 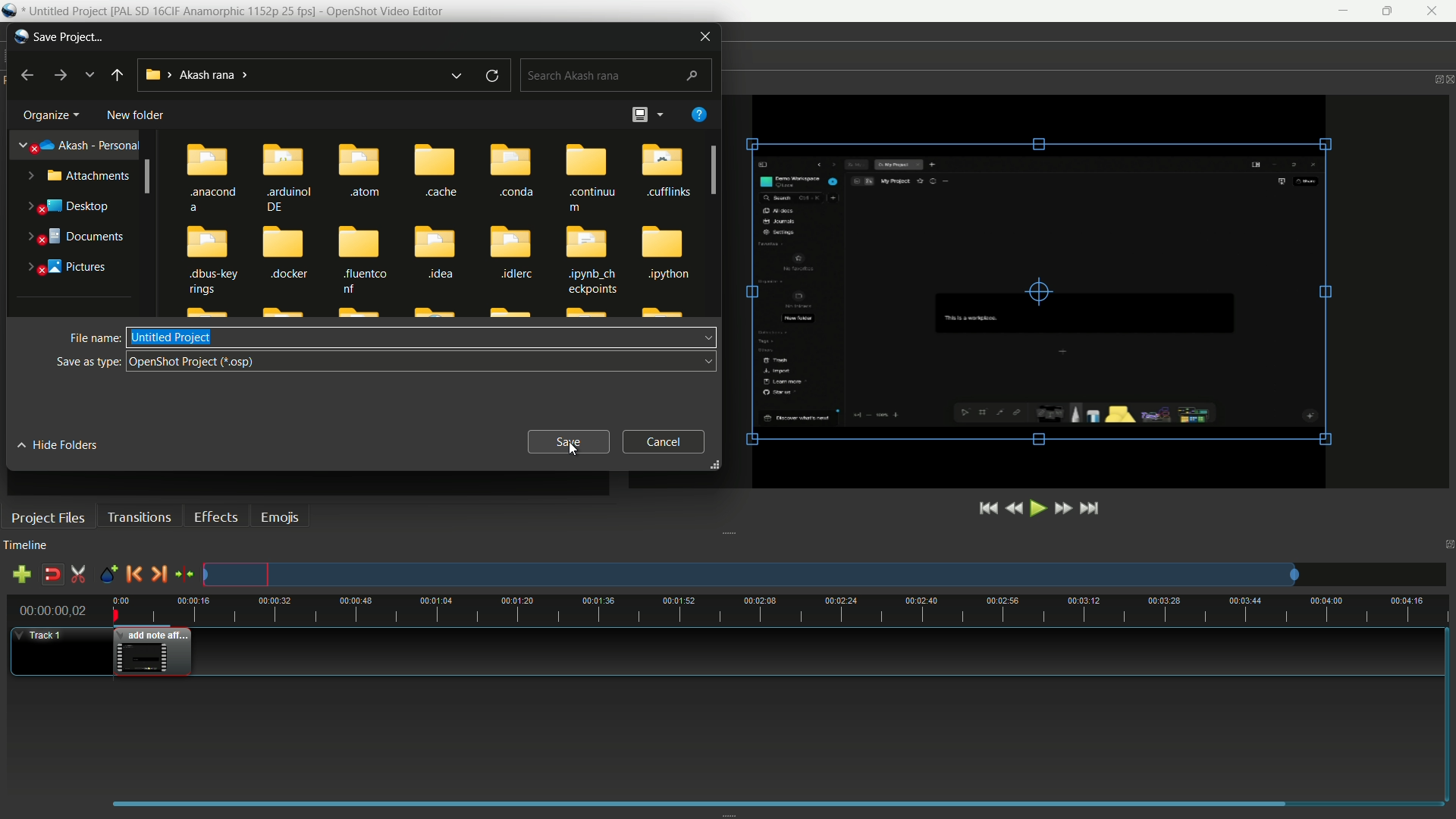 What do you see at coordinates (172, 337) in the screenshot?
I see `untitled project` at bounding box center [172, 337].